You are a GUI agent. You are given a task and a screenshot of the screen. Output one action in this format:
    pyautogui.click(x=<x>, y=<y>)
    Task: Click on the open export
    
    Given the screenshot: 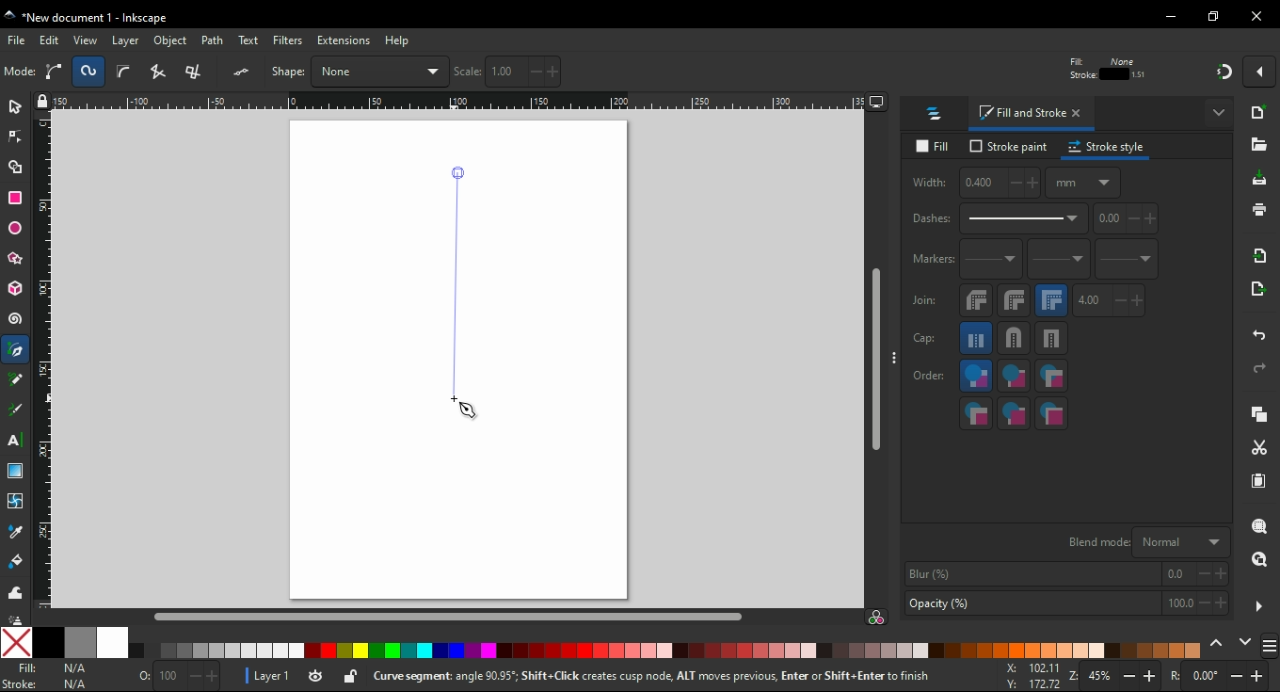 What is the action you would take?
    pyautogui.click(x=1256, y=294)
    